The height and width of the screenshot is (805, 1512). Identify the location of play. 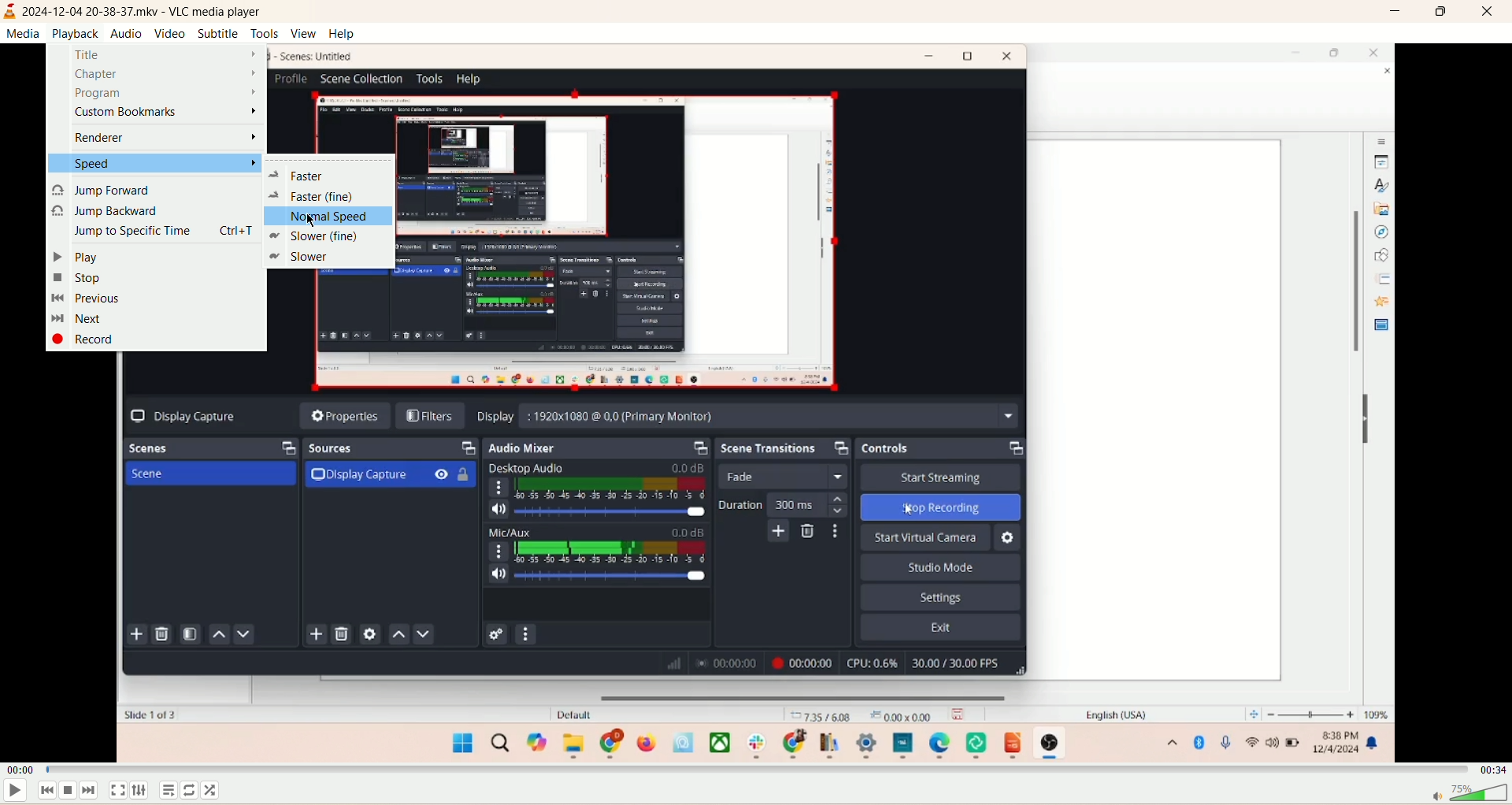
(84, 255).